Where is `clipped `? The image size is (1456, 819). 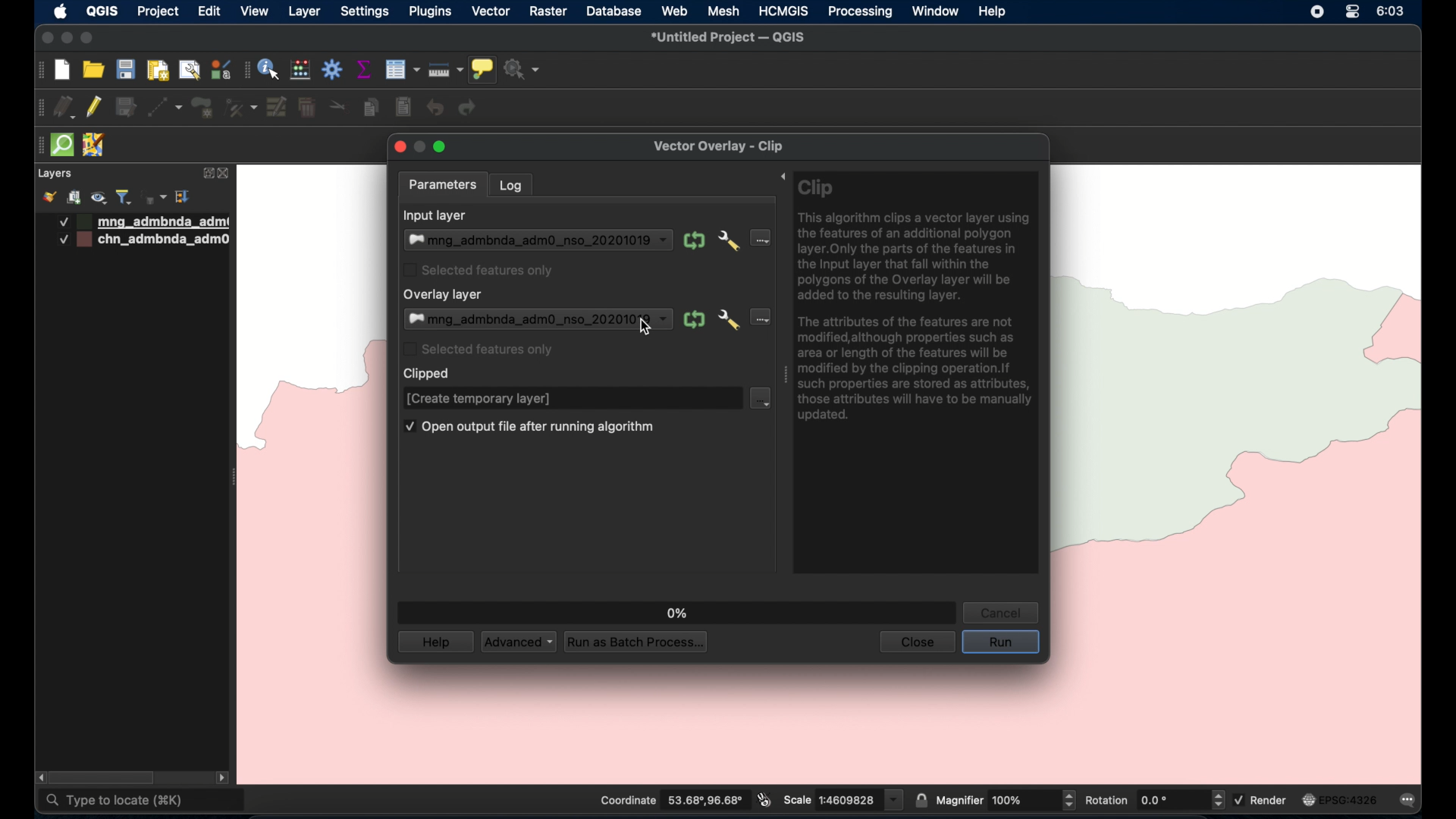
clipped  is located at coordinates (428, 374).